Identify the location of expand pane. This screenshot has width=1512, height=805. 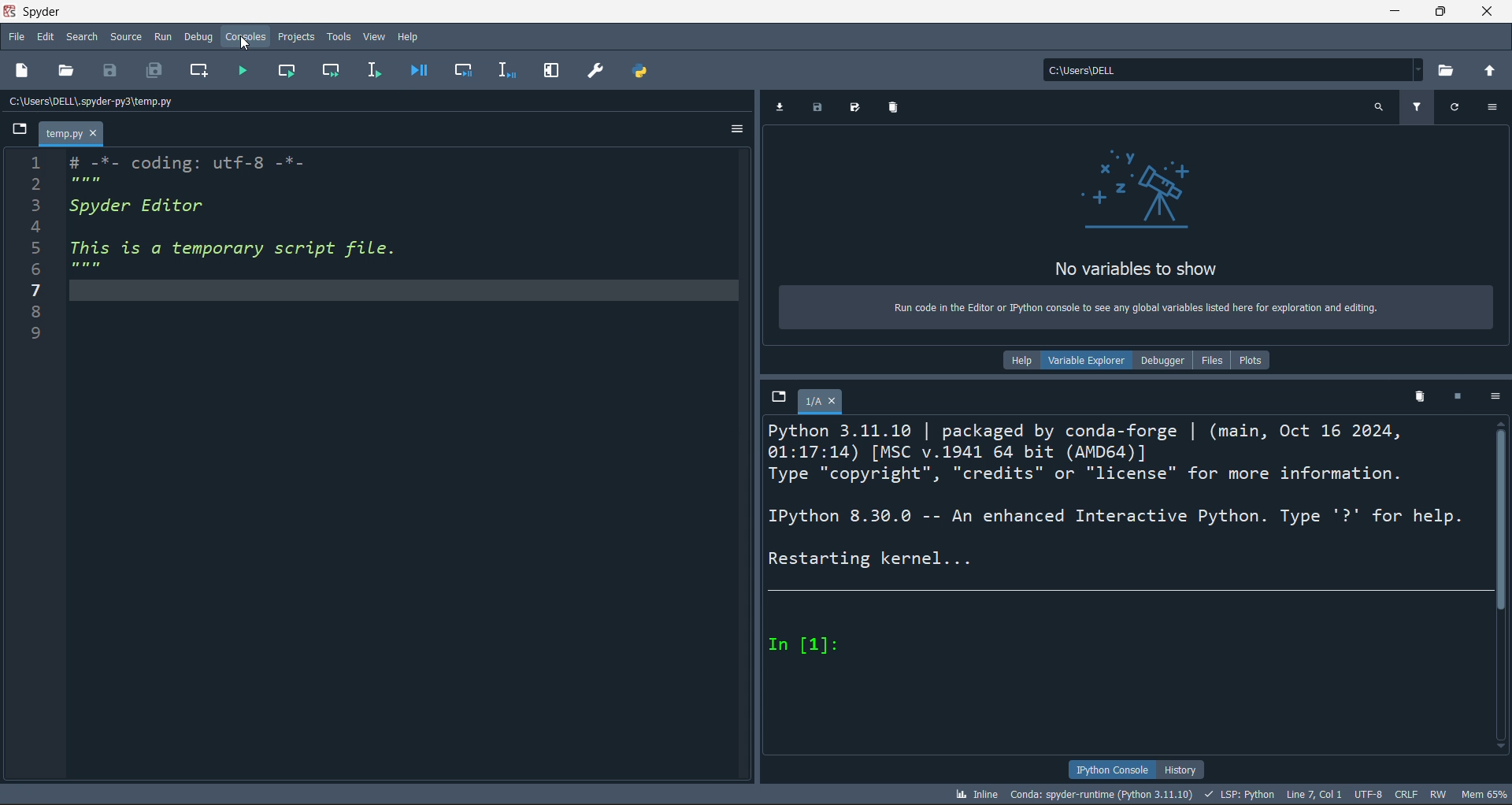
(556, 73).